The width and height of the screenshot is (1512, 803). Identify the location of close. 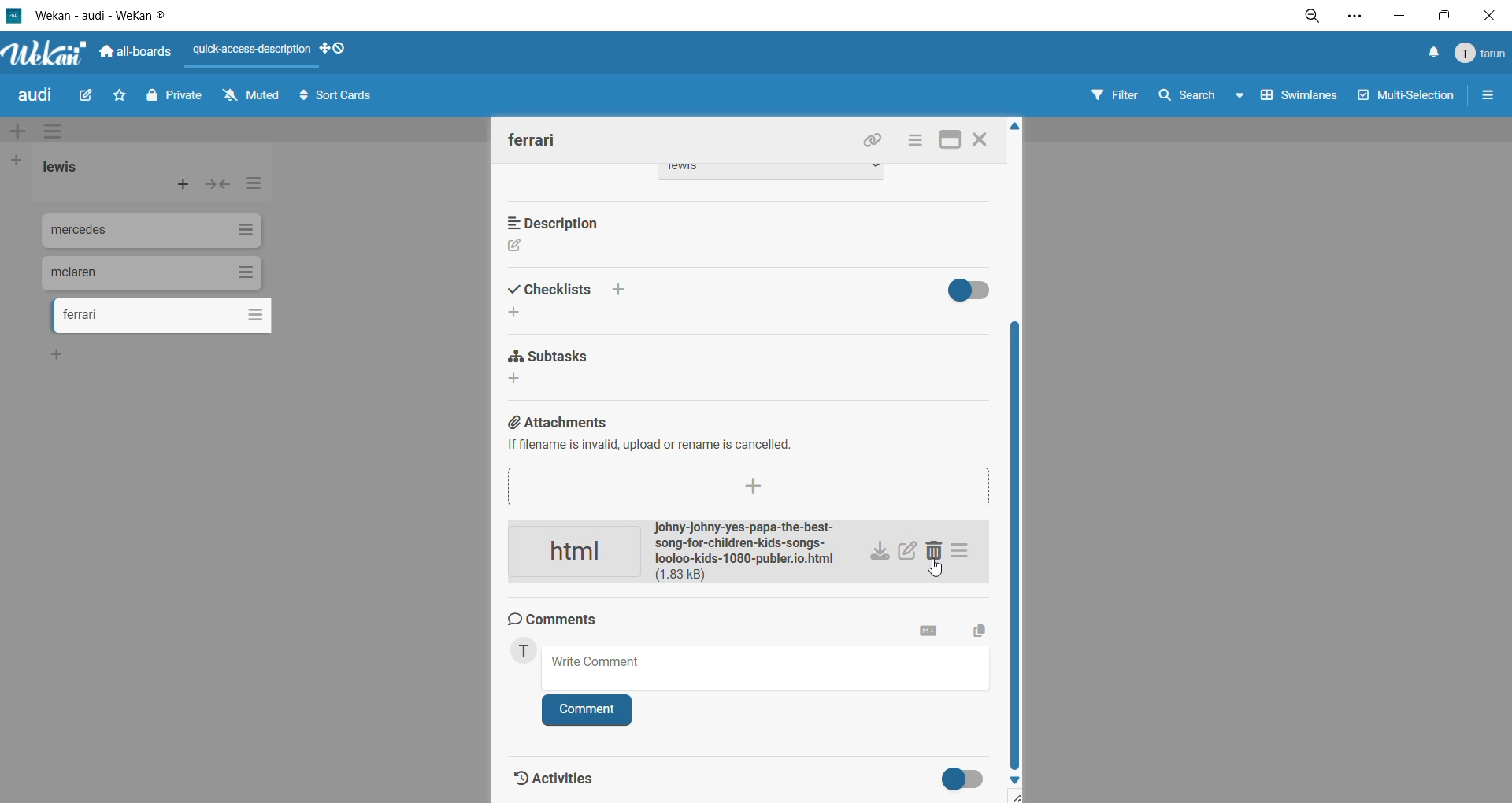
(1487, 15).